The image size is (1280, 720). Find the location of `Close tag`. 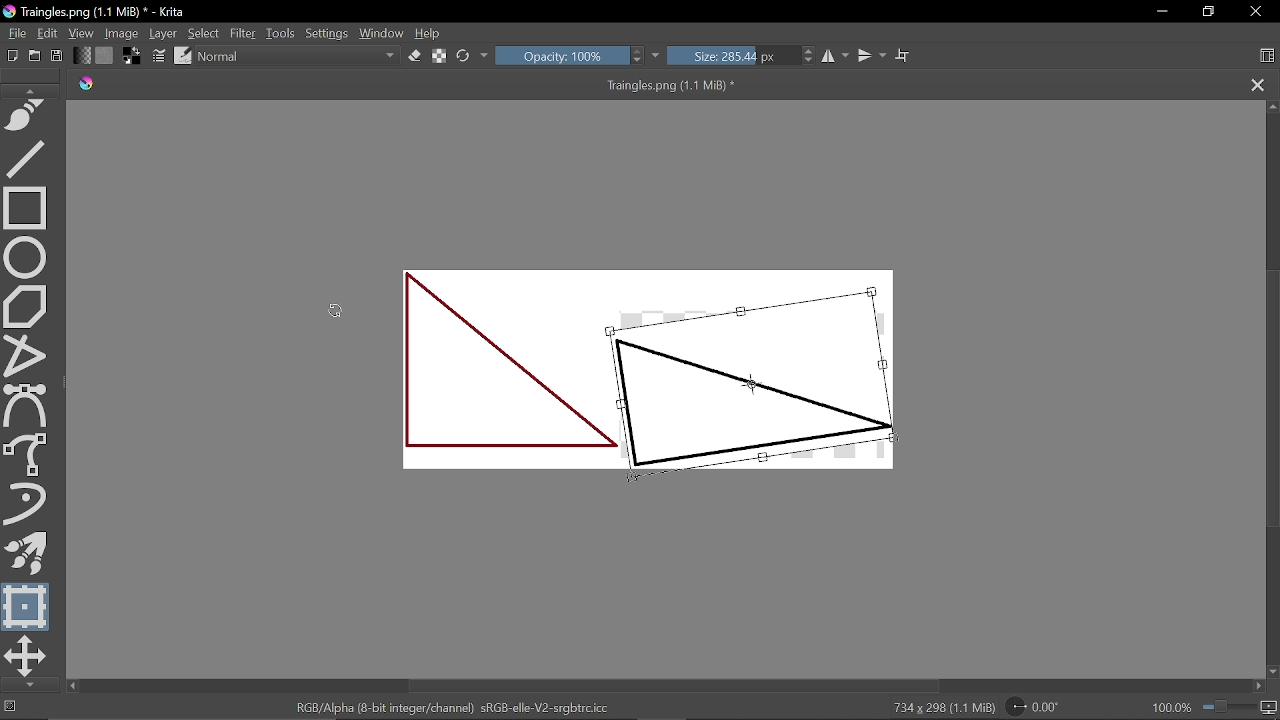

Close tag is located at coordinates (1259, 85).